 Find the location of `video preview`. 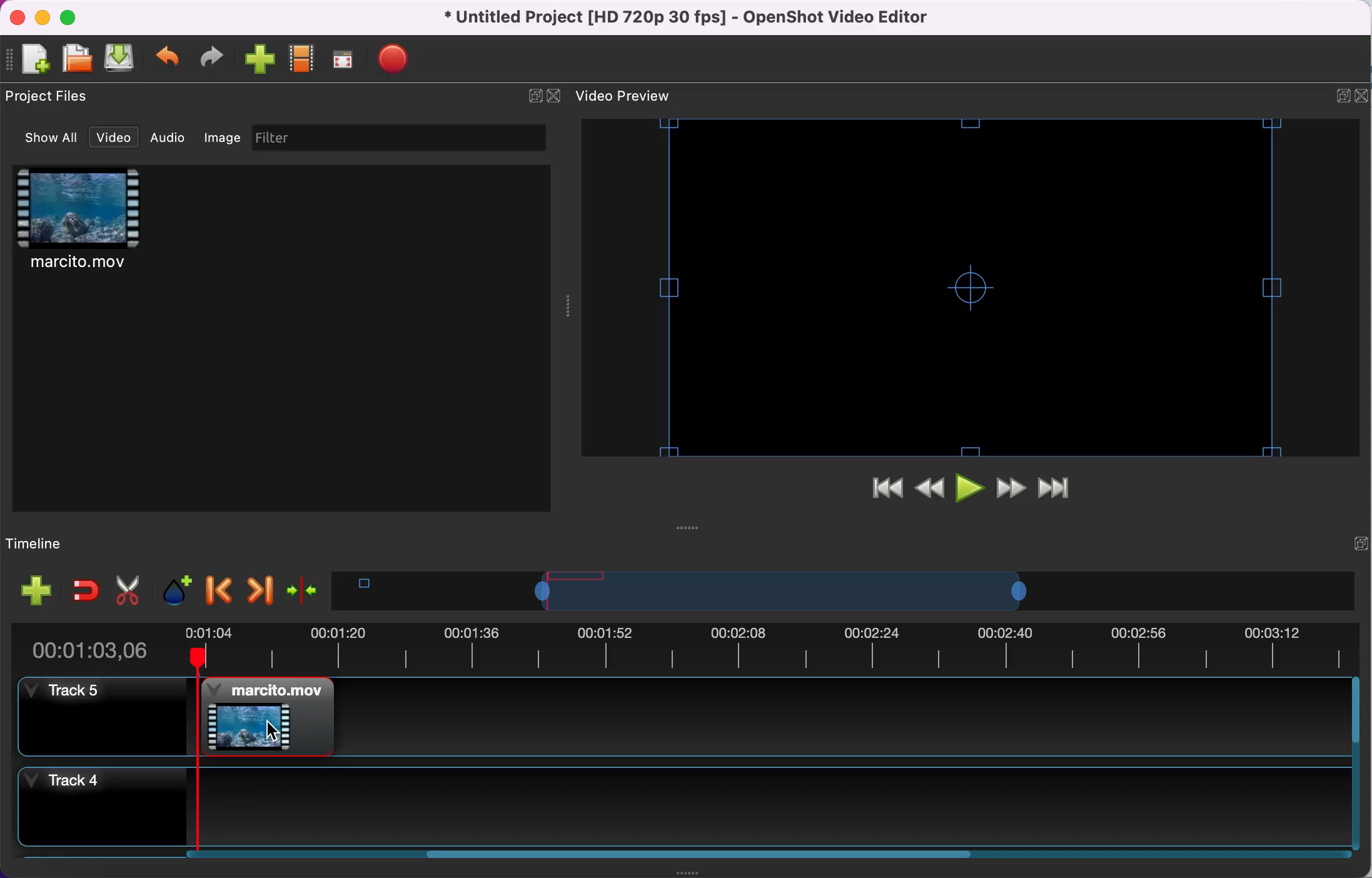

video preview is located at coordinates (967, 286).